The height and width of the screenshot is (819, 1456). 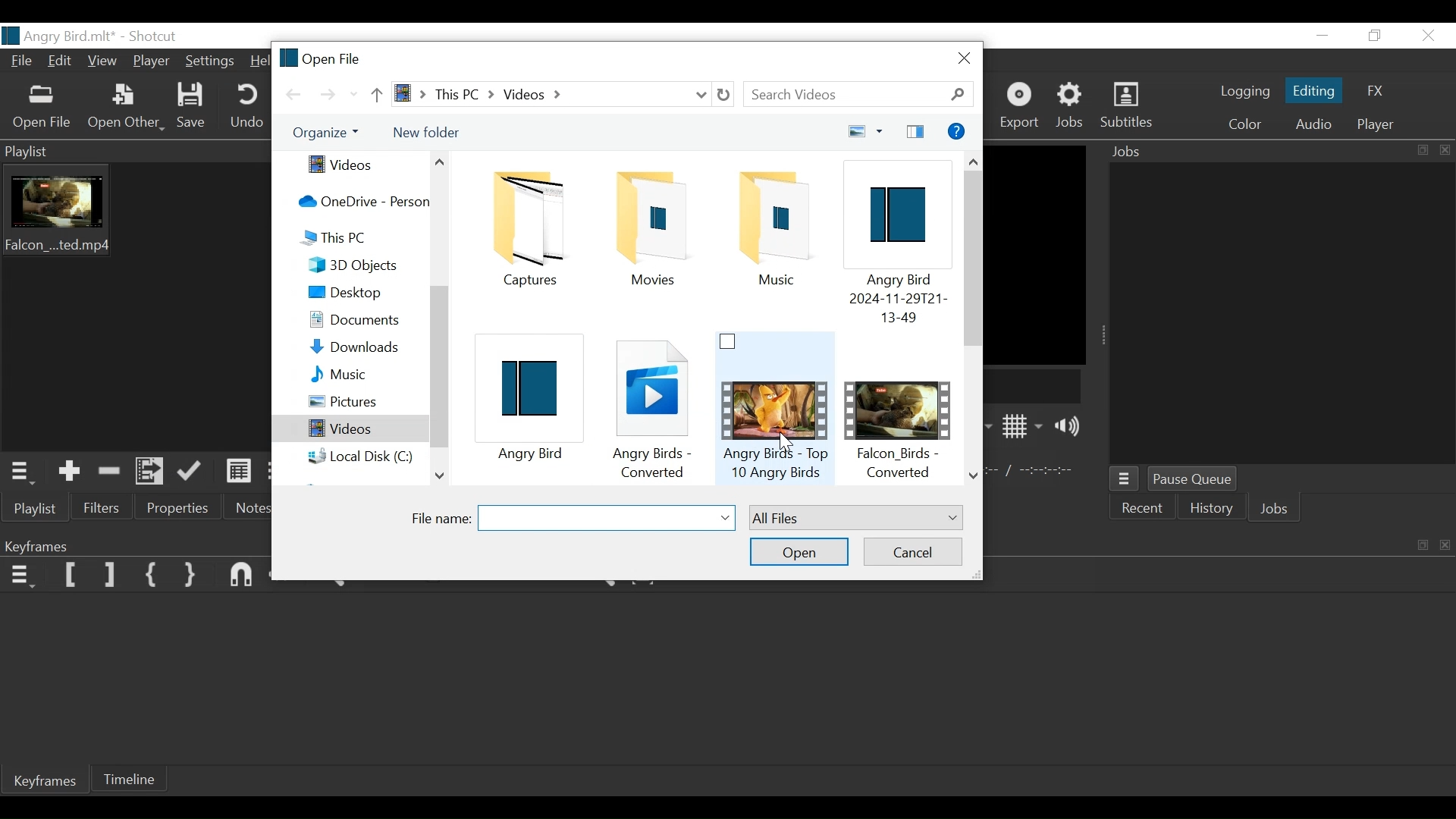 I want to click on New Folder, so click(x=426, y=131).